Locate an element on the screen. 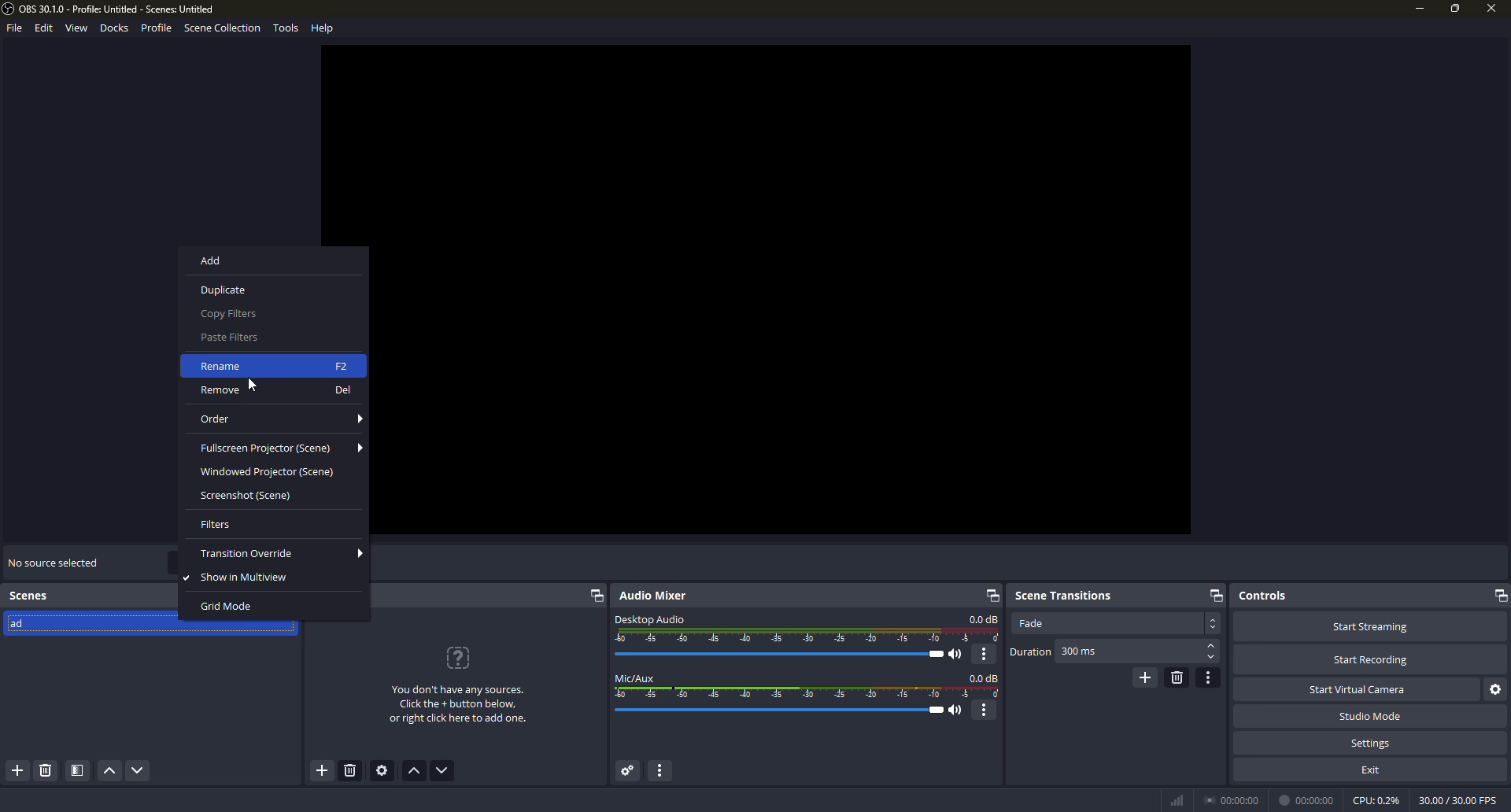  help is located at coordinates (324, 27).